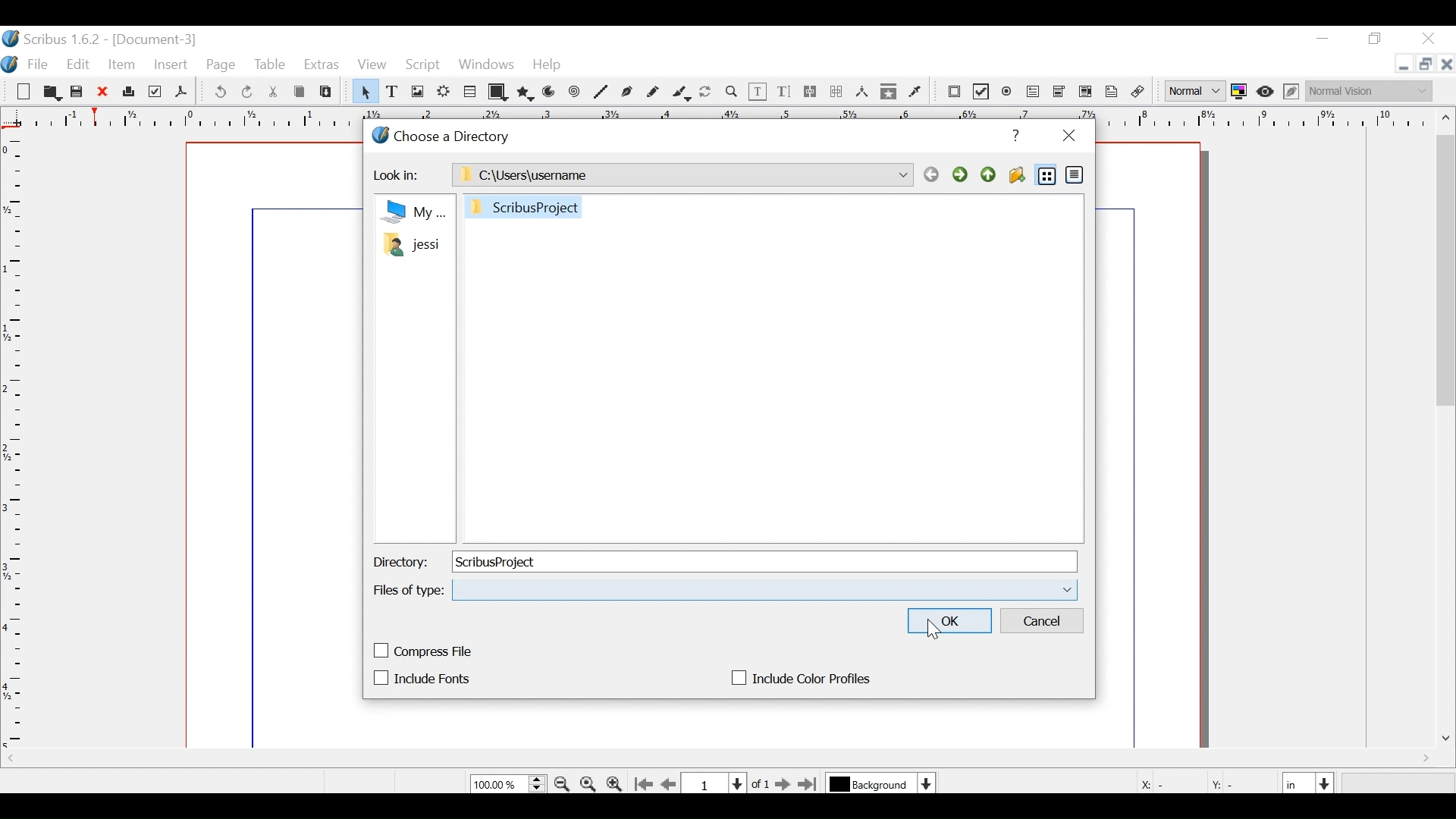 This screenshot has width=1456, height=819. What do you see at coordinates (246, 92) in the screenshot?
I see `Redo` at bounding box center [246, 92].